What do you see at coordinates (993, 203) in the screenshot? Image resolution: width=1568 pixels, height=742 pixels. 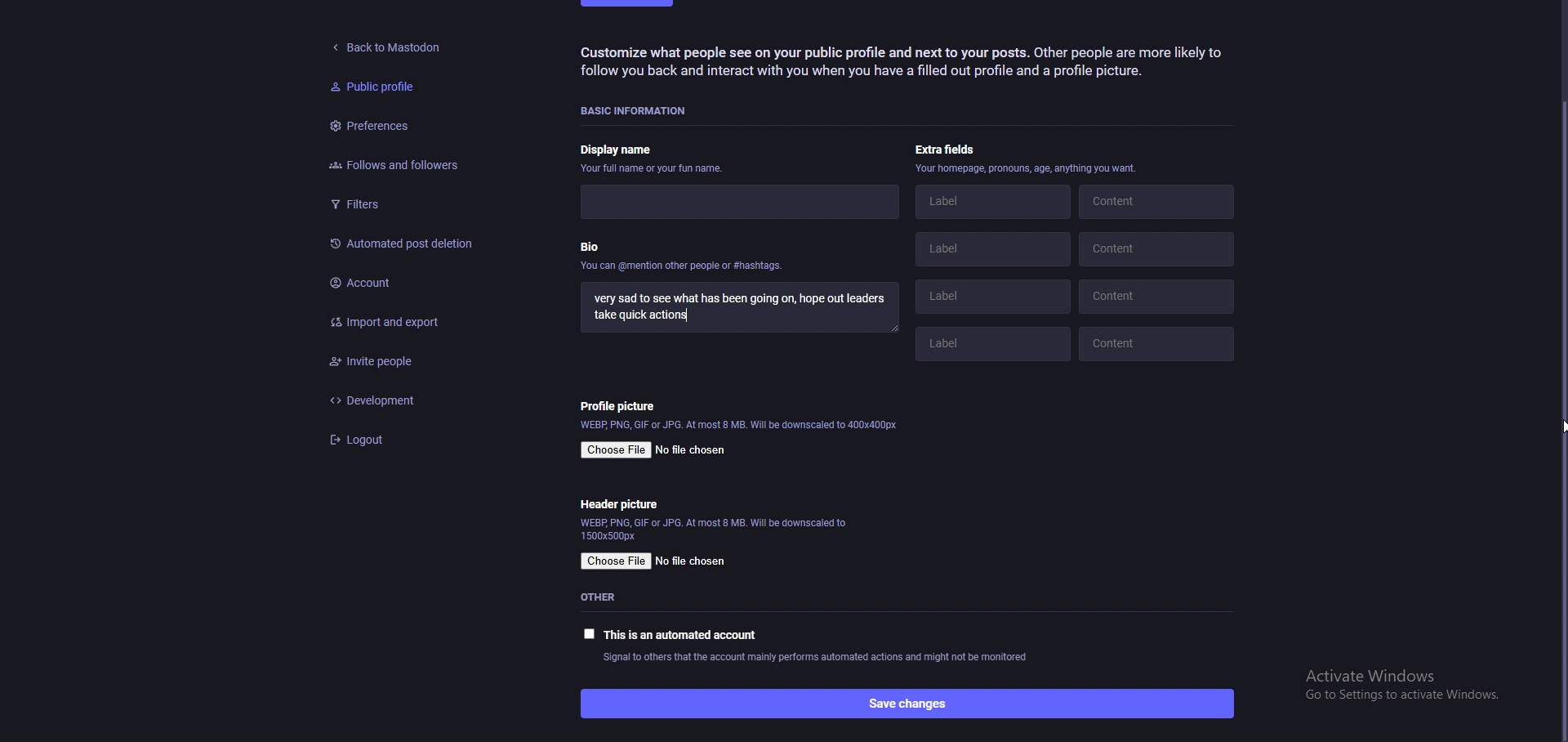 I see `label` at bounding box center [993, 203].